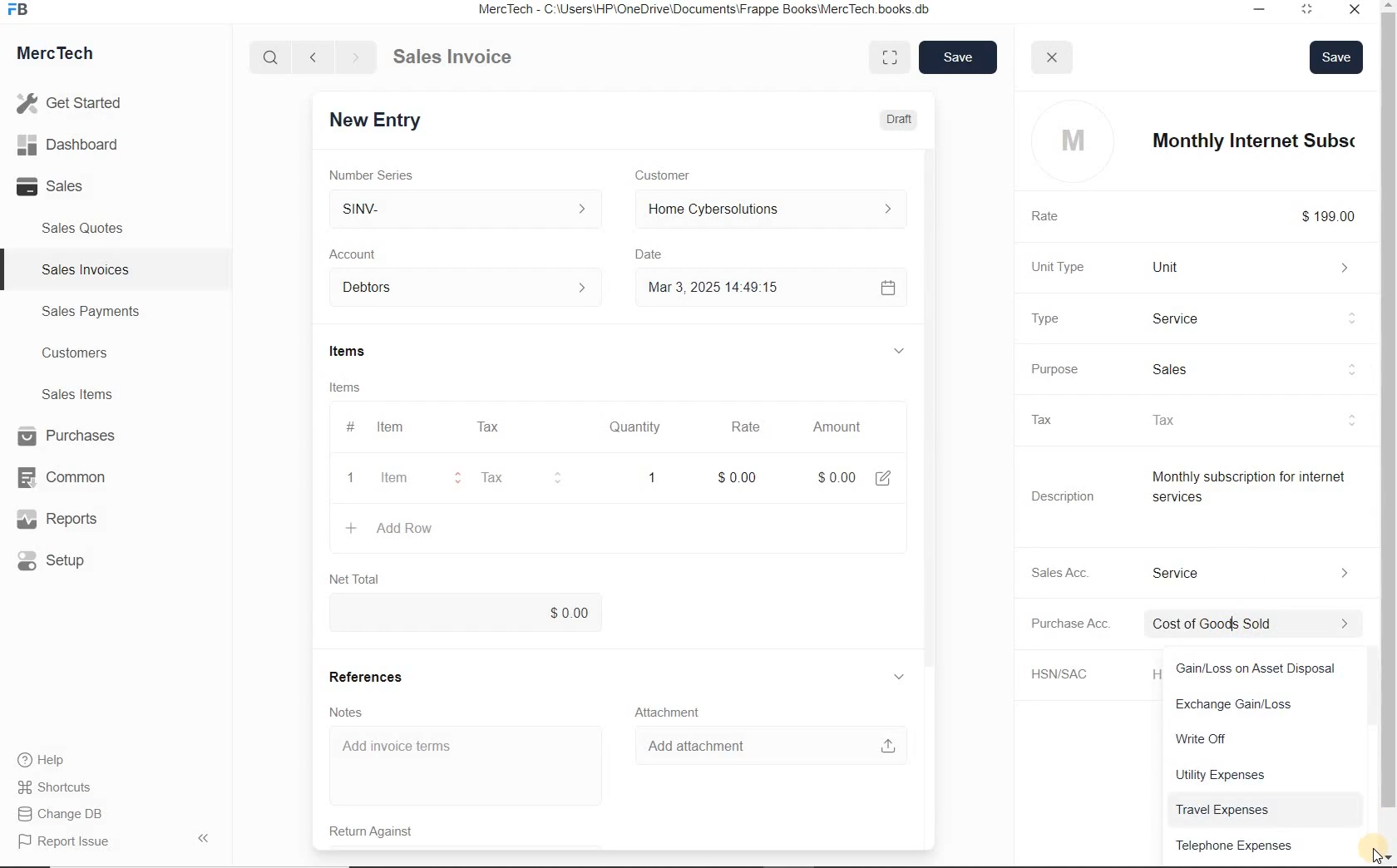 This screenshot has height=868, width=1397. Describe the element at coordinates (75, 103) in the screenshot. I see `Get Started` at that location.